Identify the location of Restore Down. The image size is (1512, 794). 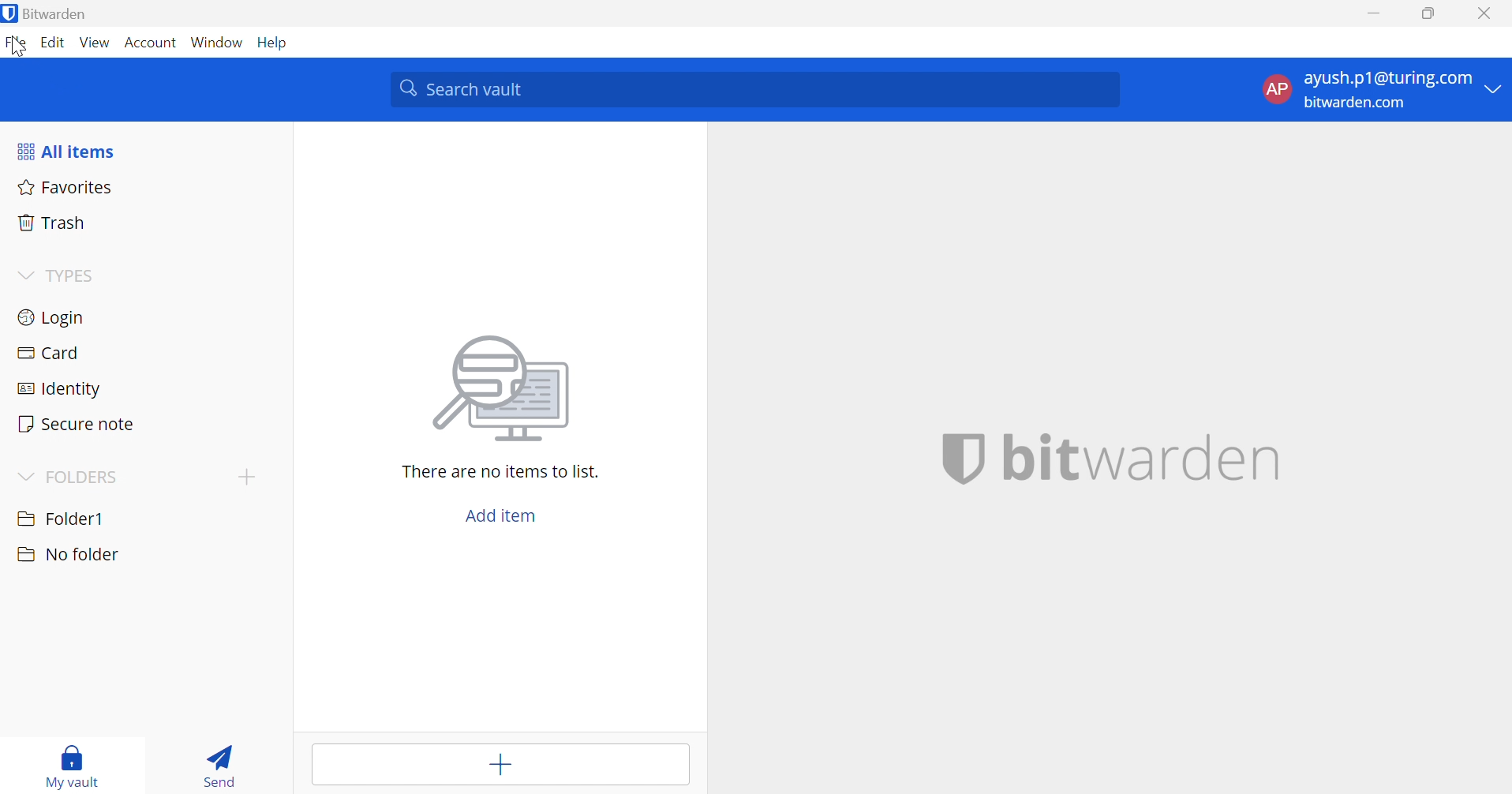
(1425, 12).